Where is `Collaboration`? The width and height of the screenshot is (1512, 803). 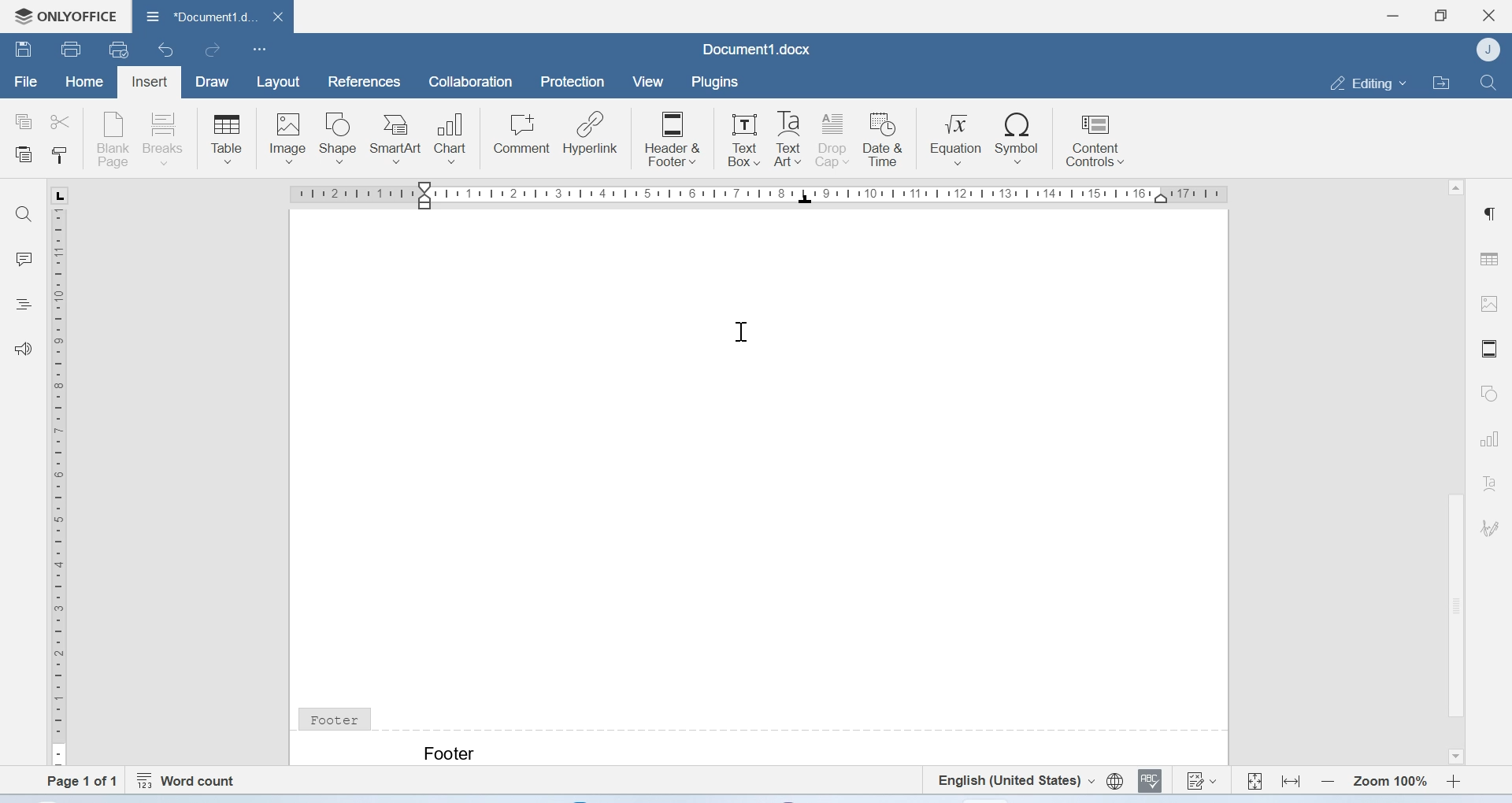
Collaboration is located at coordinates (471, 83).